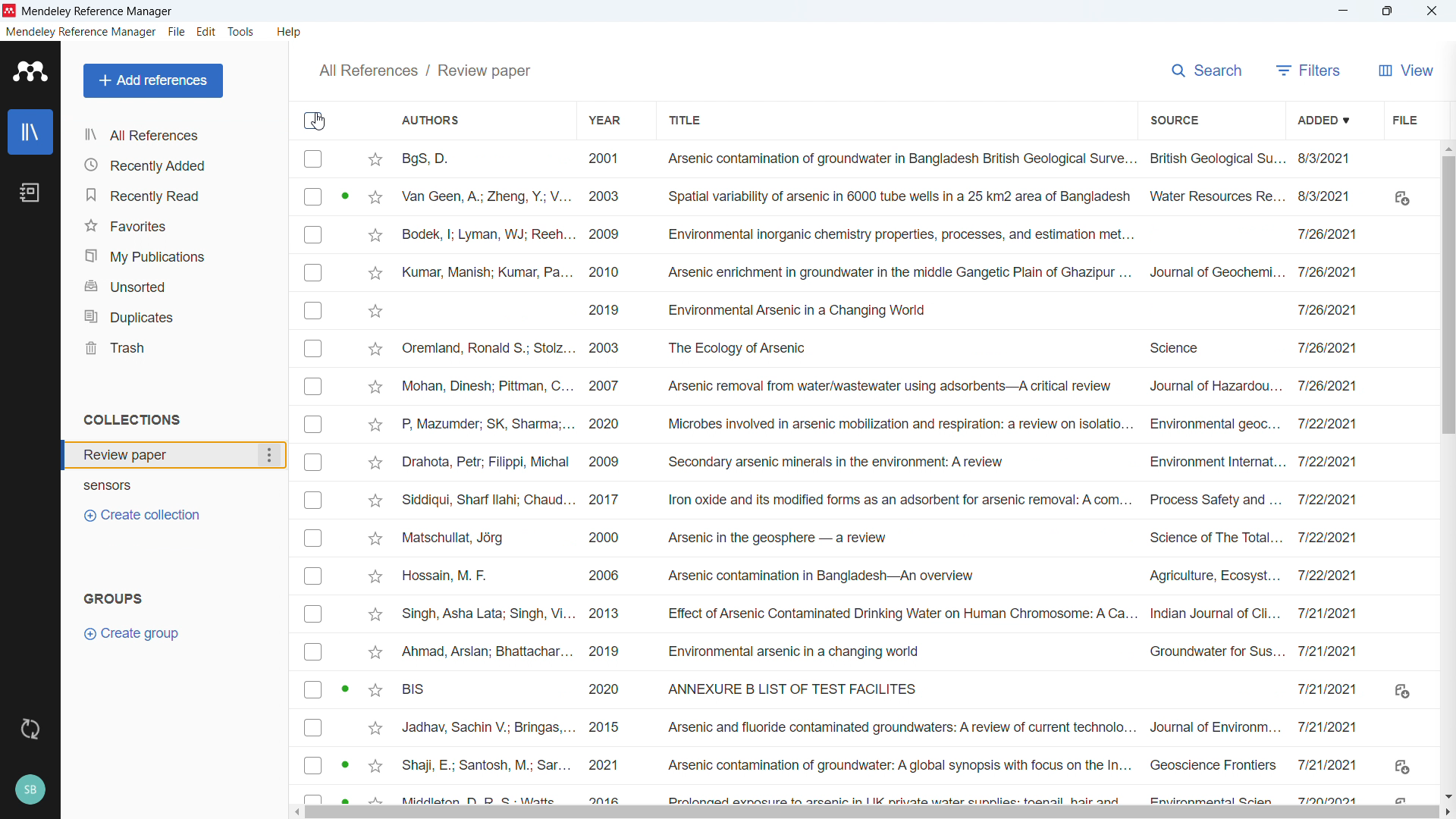 The width and height of the screenshot is (1456, 819). What do you see at coordinates (30, 193) in the screenshot?
I see `Notebook ` at bounding box center [30, 193].